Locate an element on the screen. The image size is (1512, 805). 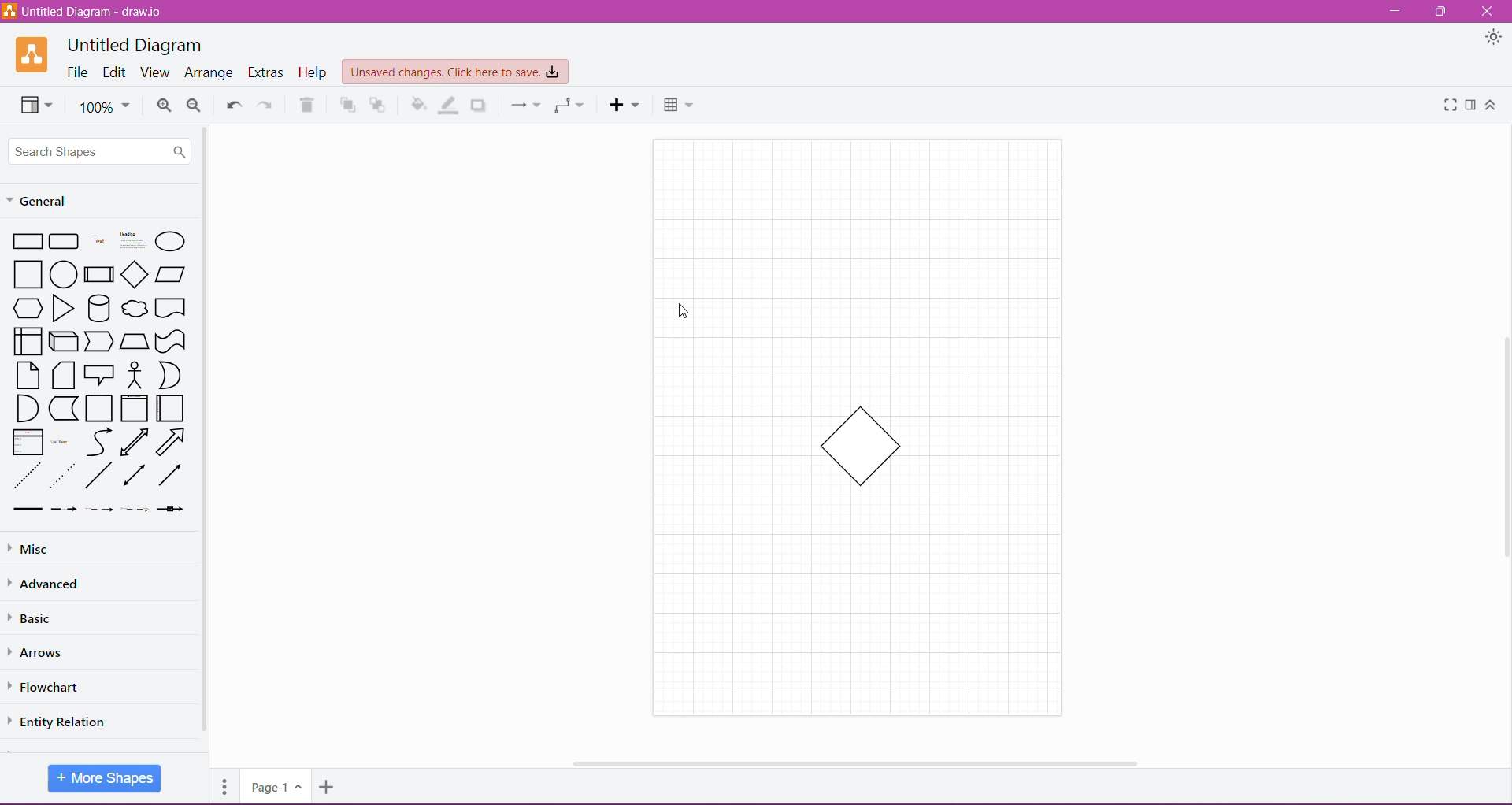
Available Shapes under General is located at coordinates (97, 376).